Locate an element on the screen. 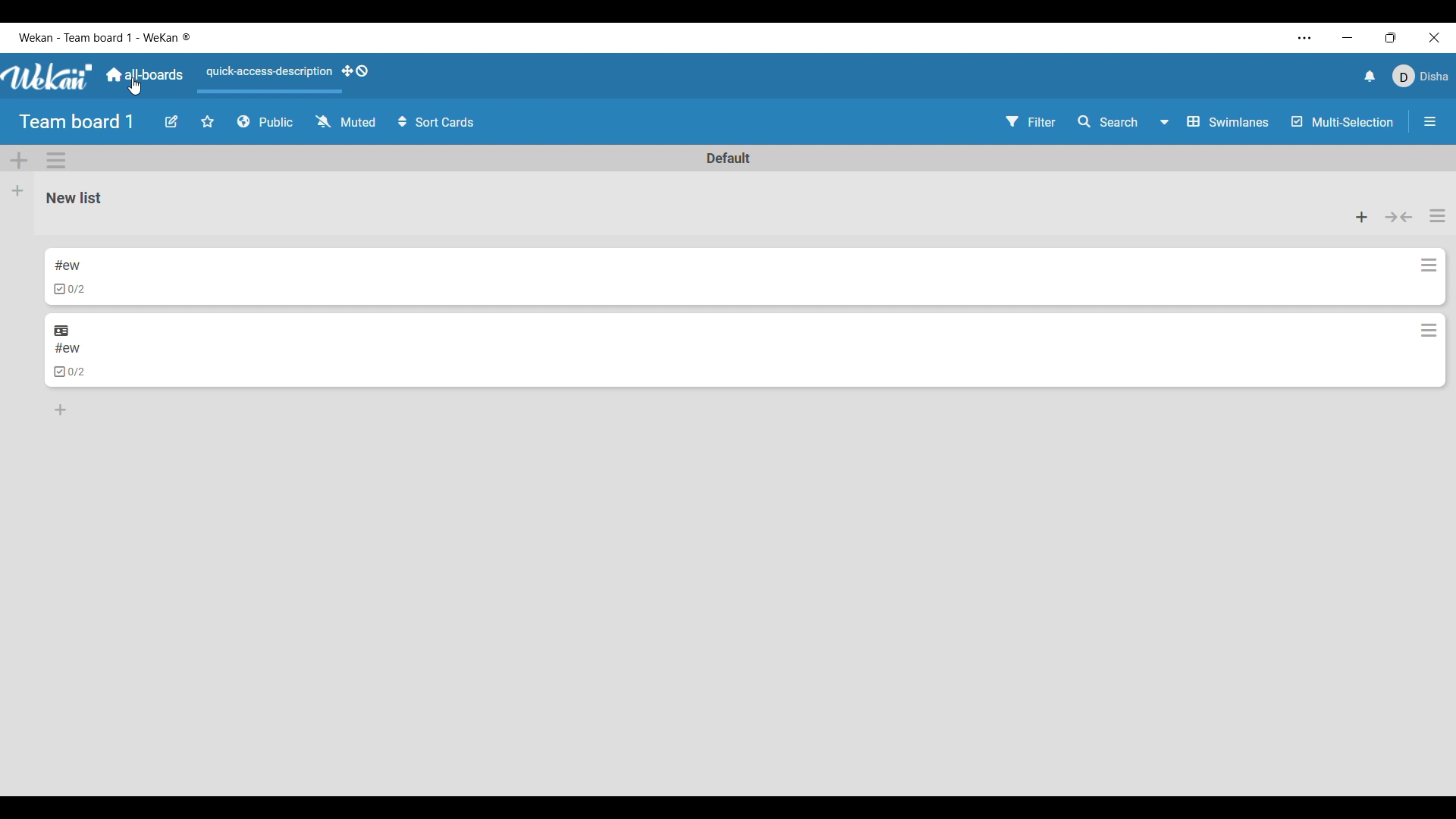 This screenshot has height=819, width=1456. Notifications  is located at coordinates (1370, 76).